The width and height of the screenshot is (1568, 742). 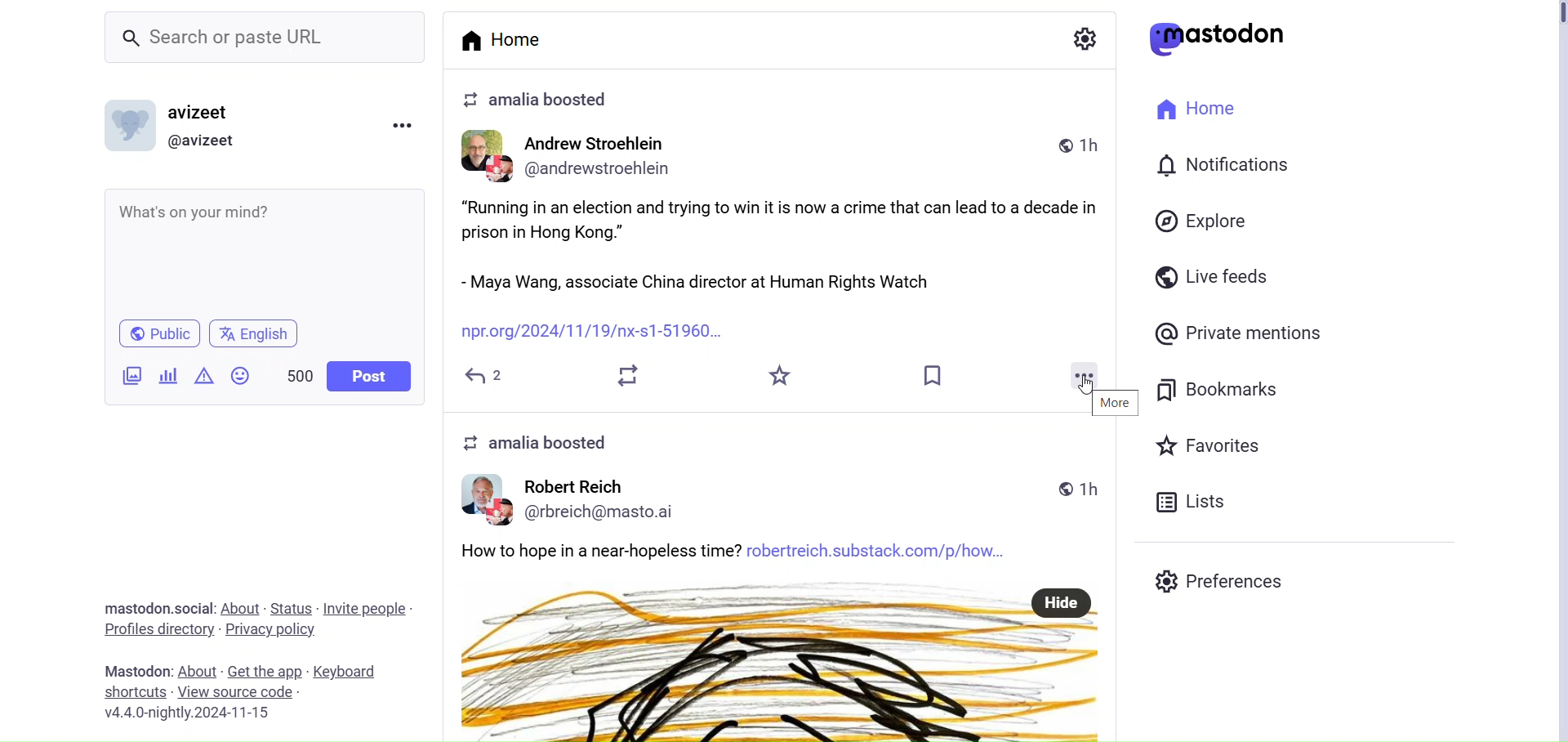 I want to click on Keyboard, so click(x=342, y=669).